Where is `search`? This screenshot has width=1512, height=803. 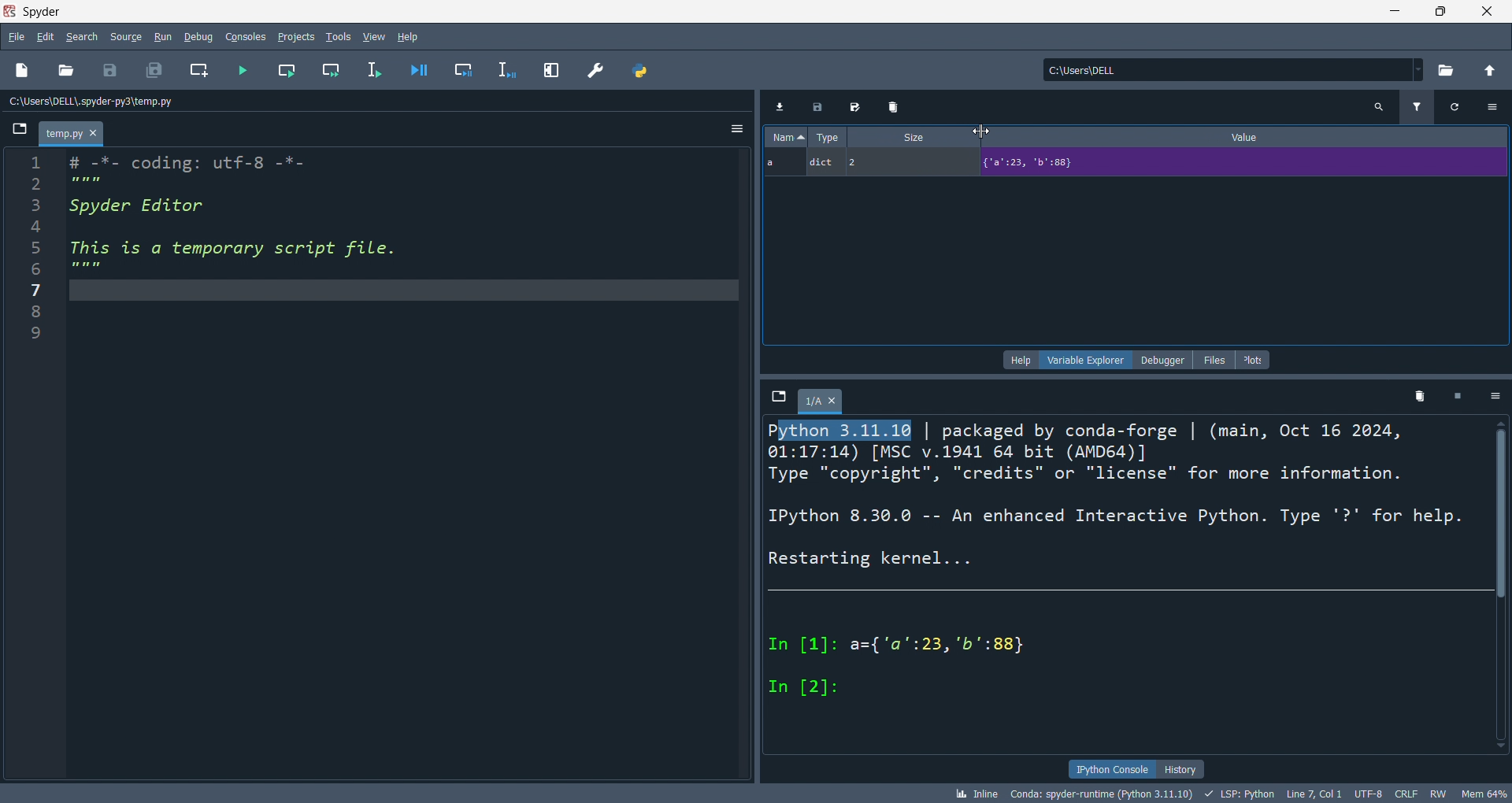
search is located at coordinates (1377, 105).